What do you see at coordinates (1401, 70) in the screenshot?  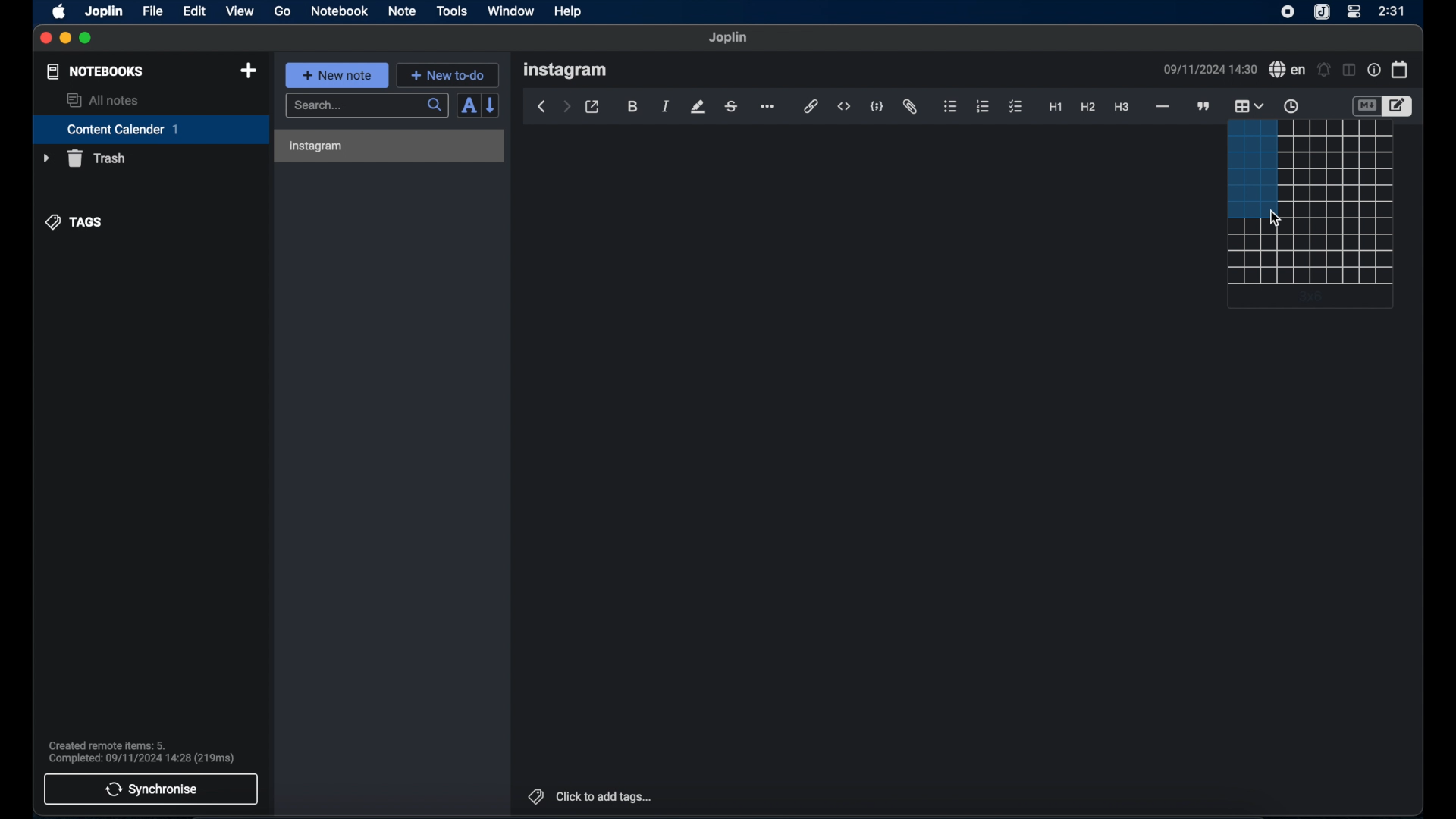 I see `calendar icon` at bounding box center [1401, 70].